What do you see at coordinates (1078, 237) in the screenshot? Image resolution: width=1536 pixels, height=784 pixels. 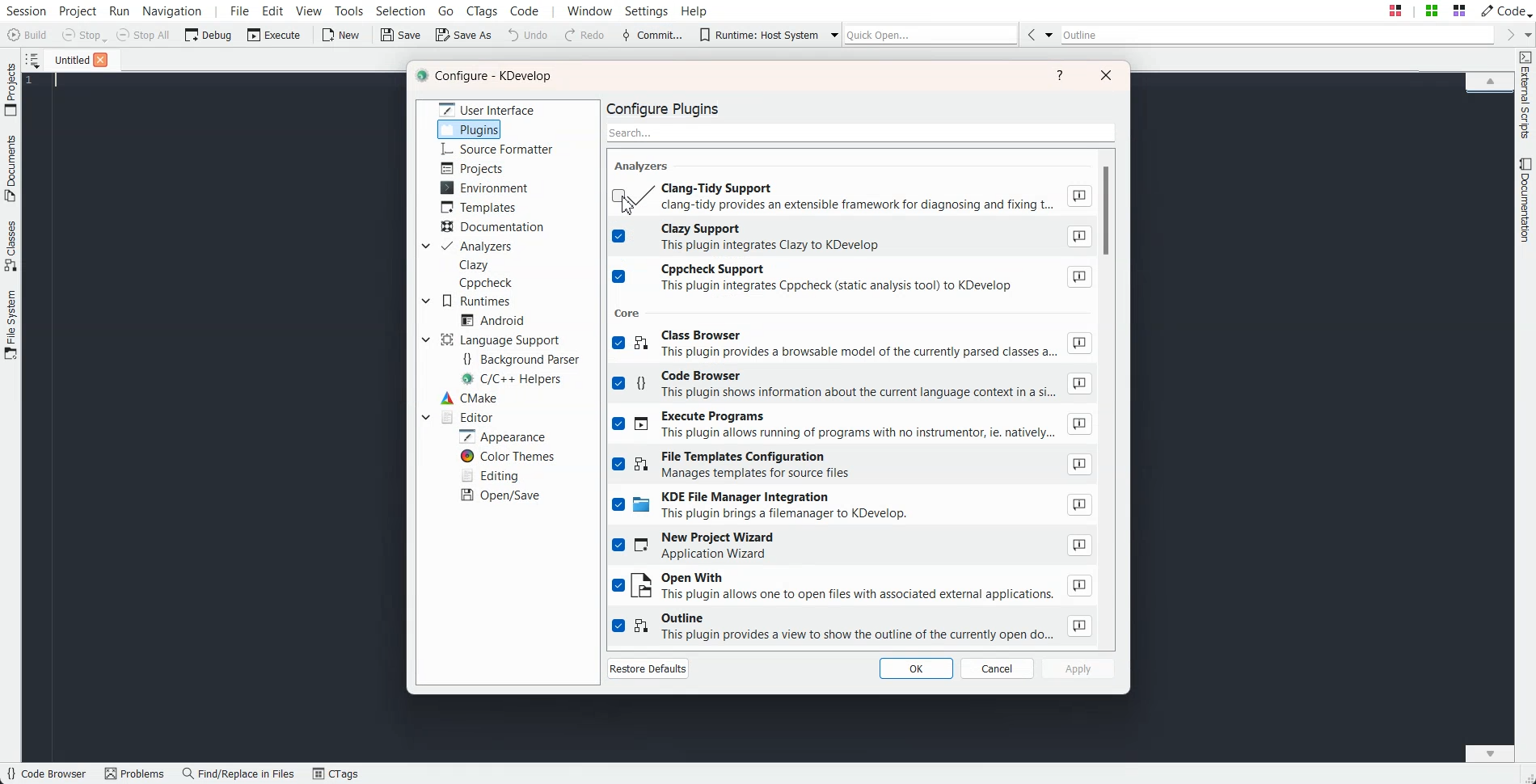 I see `About` at bounding box center [1078, 237].